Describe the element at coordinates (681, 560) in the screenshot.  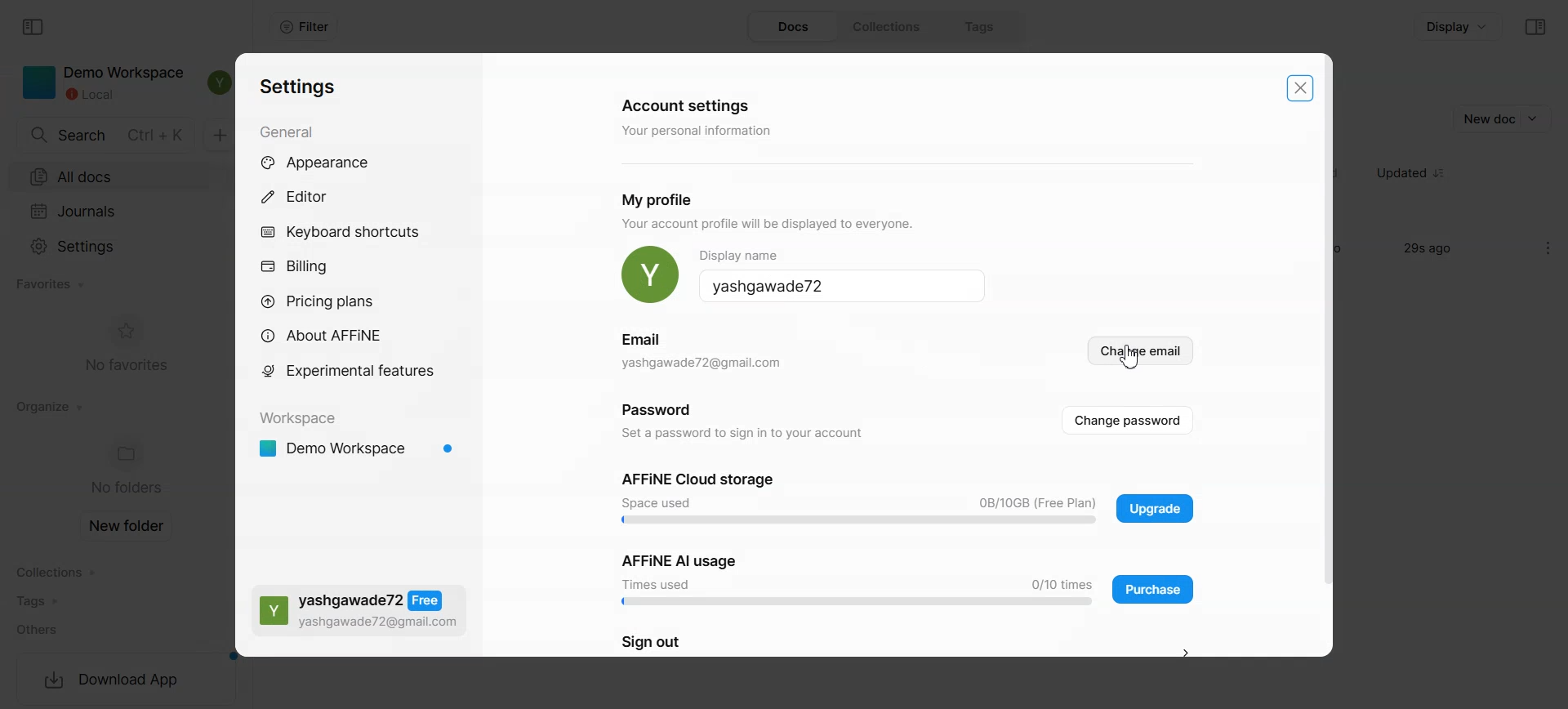
I see `affine ai usage` at that location.